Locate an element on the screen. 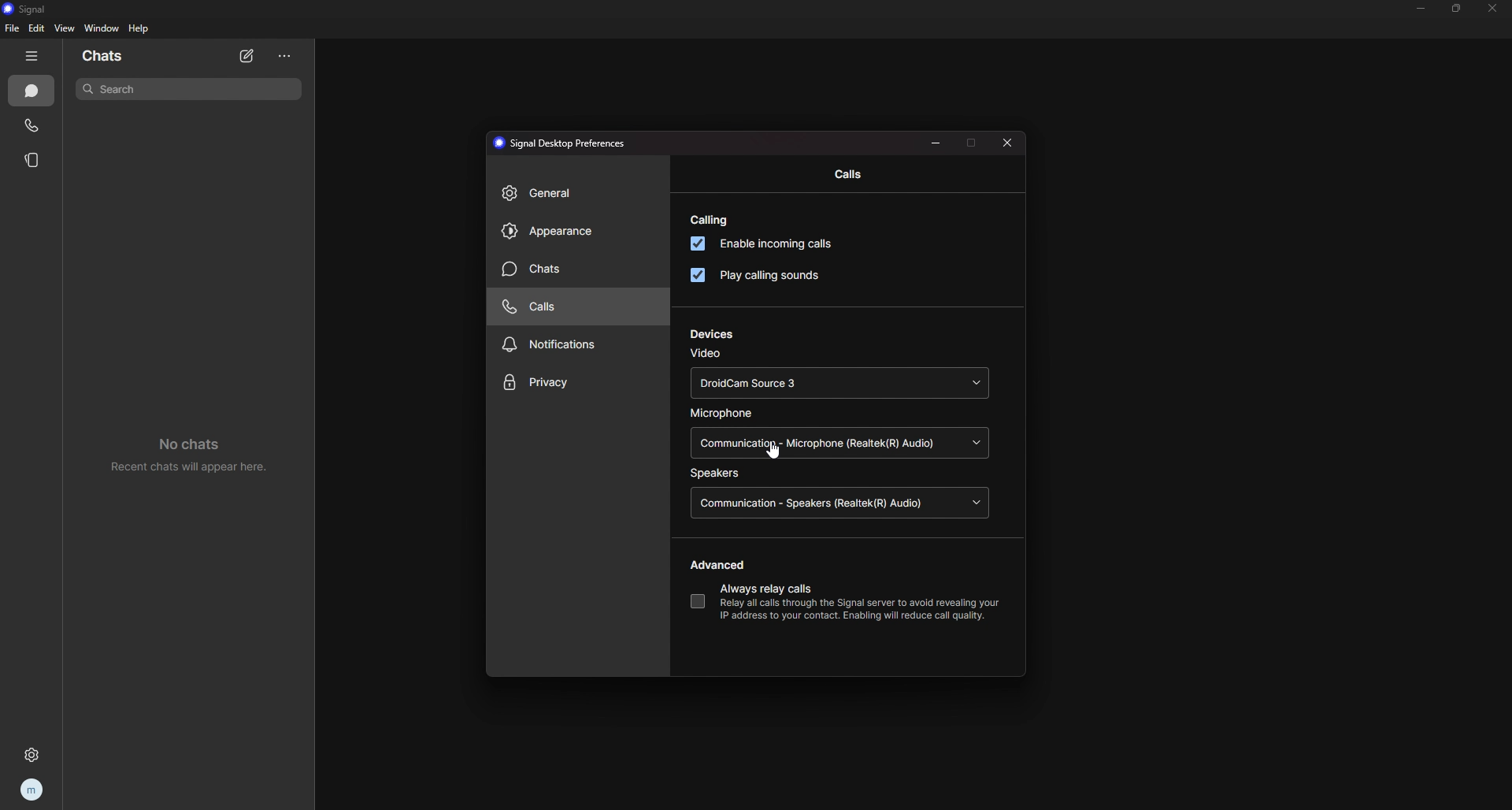  no chats is located at coordinates (187, 454).